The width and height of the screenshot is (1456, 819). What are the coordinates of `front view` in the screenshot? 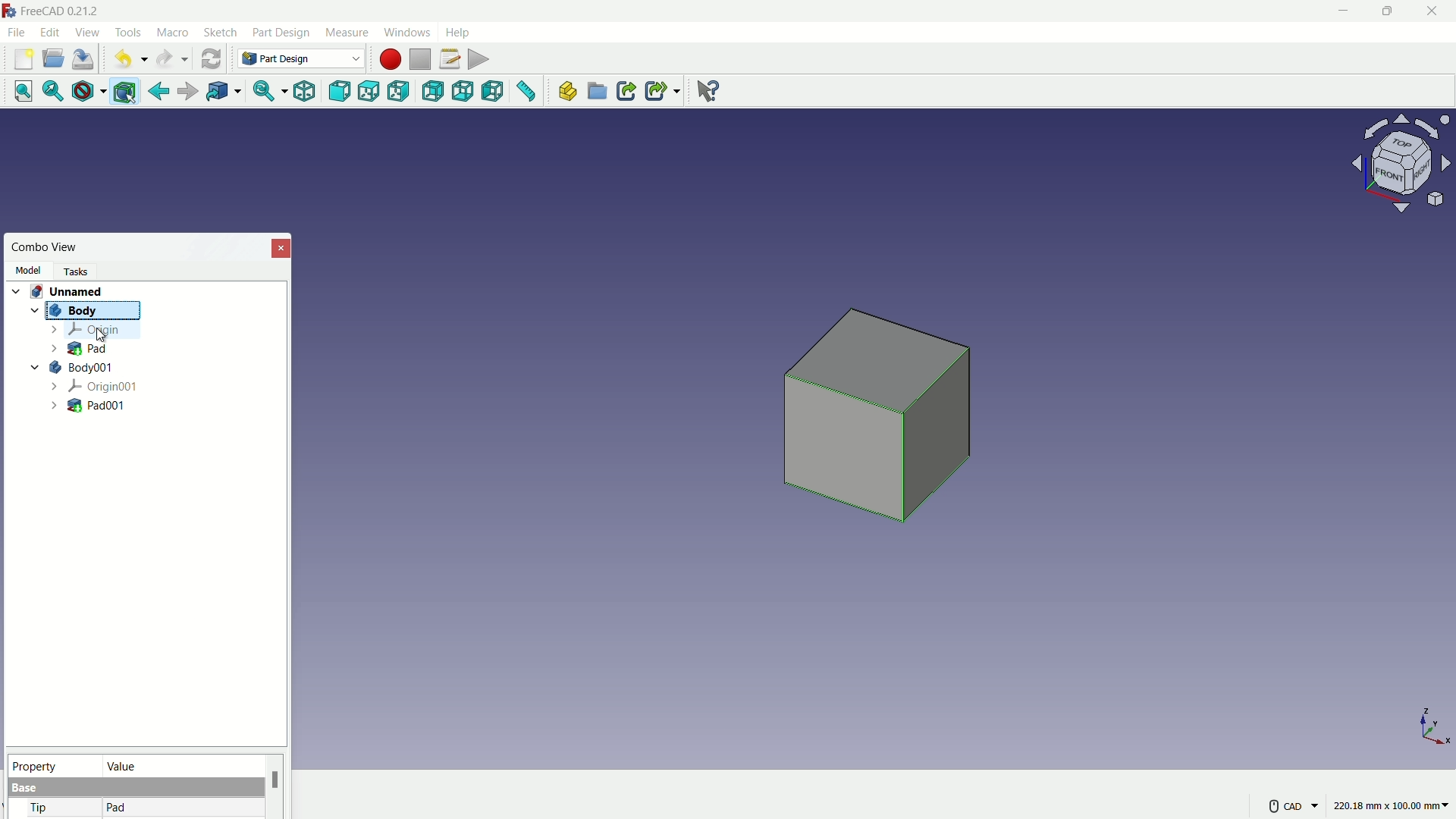 It's located at (341, 92).